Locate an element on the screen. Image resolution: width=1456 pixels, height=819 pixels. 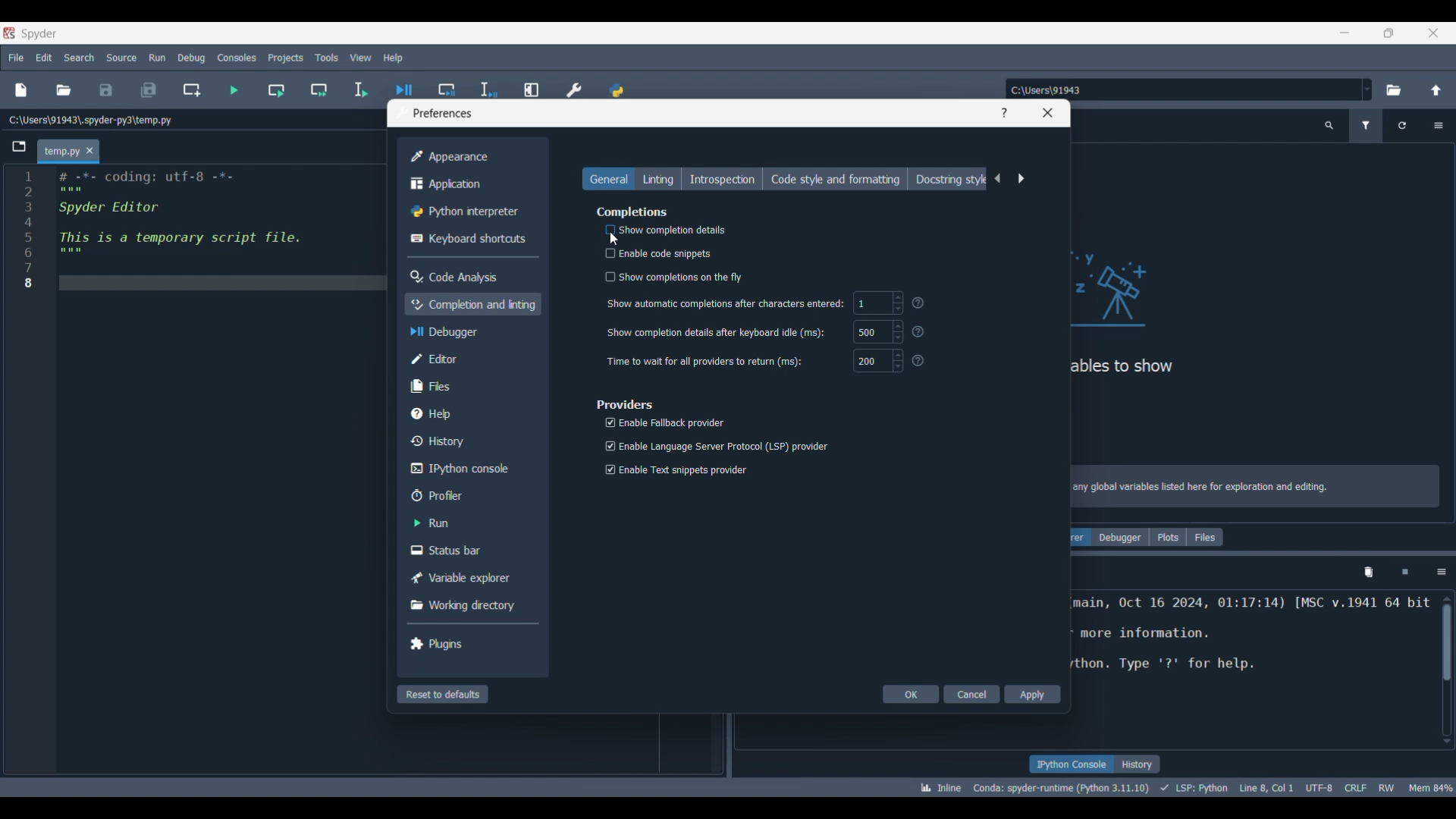
Reload variables is located at coordinates (1401, 126).